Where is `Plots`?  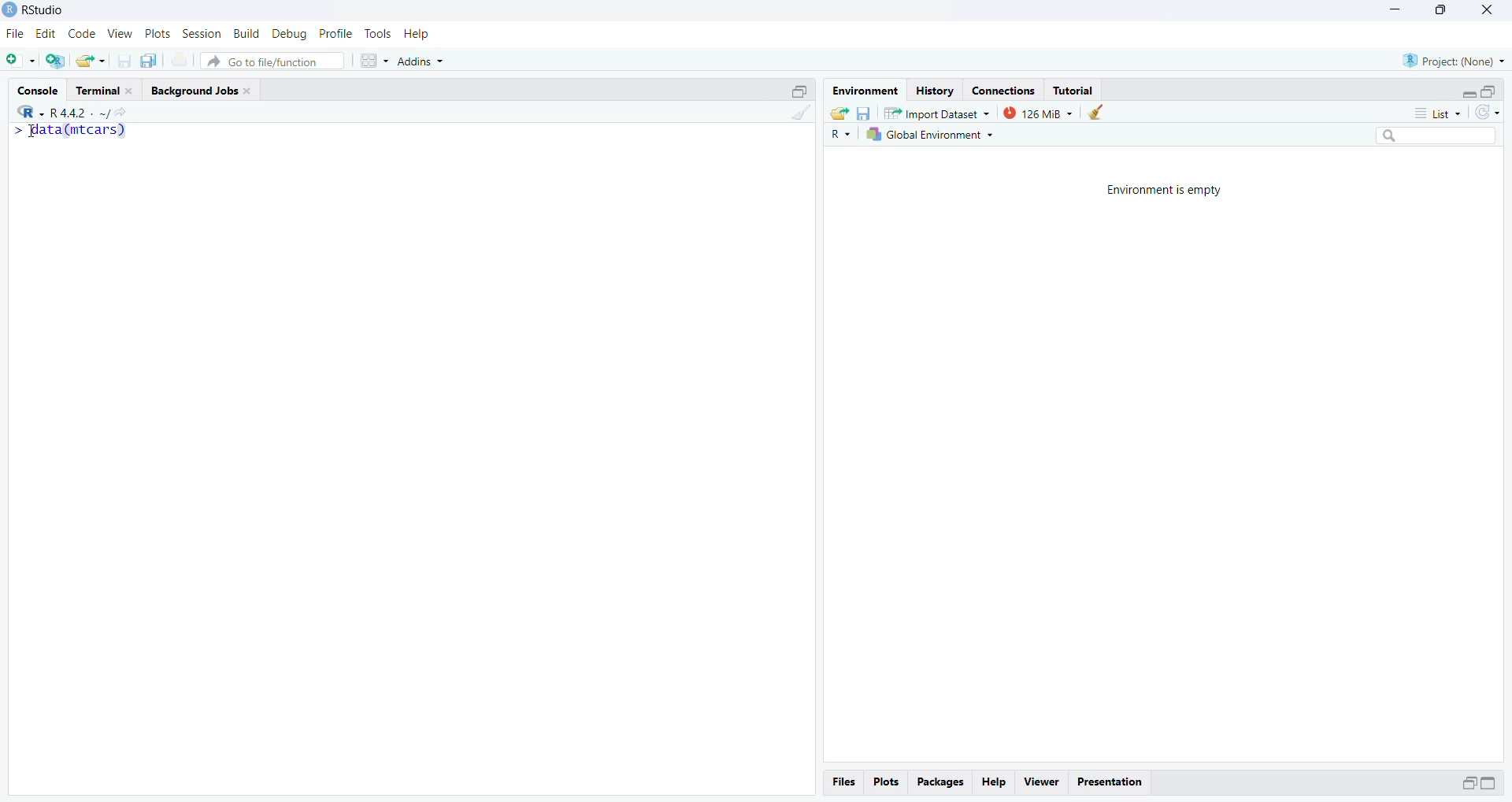 Plots is located at coordinates (157, 34).